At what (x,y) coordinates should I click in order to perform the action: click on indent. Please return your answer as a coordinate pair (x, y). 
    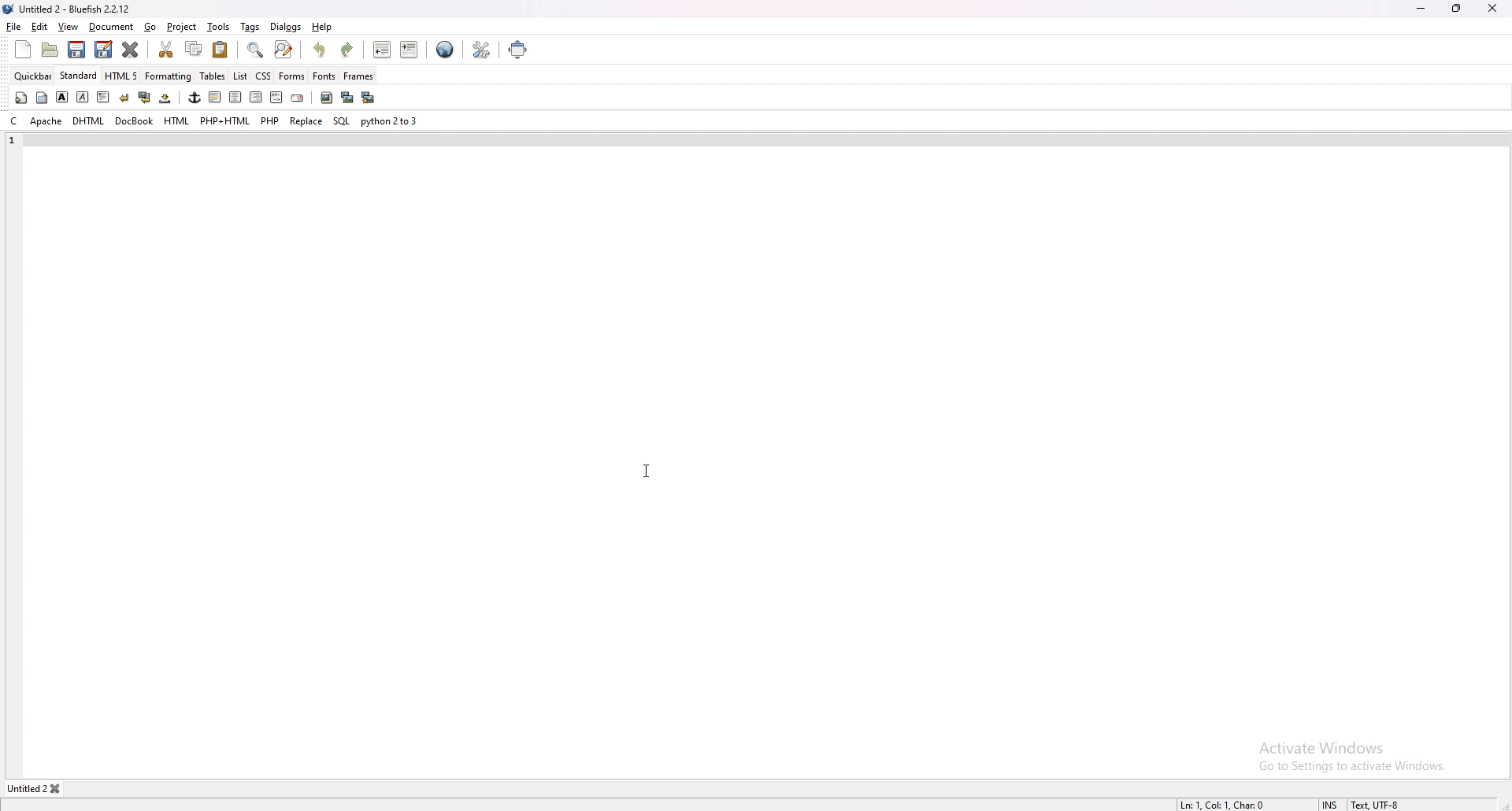
    Looking at the image, I should click on (409, 49).